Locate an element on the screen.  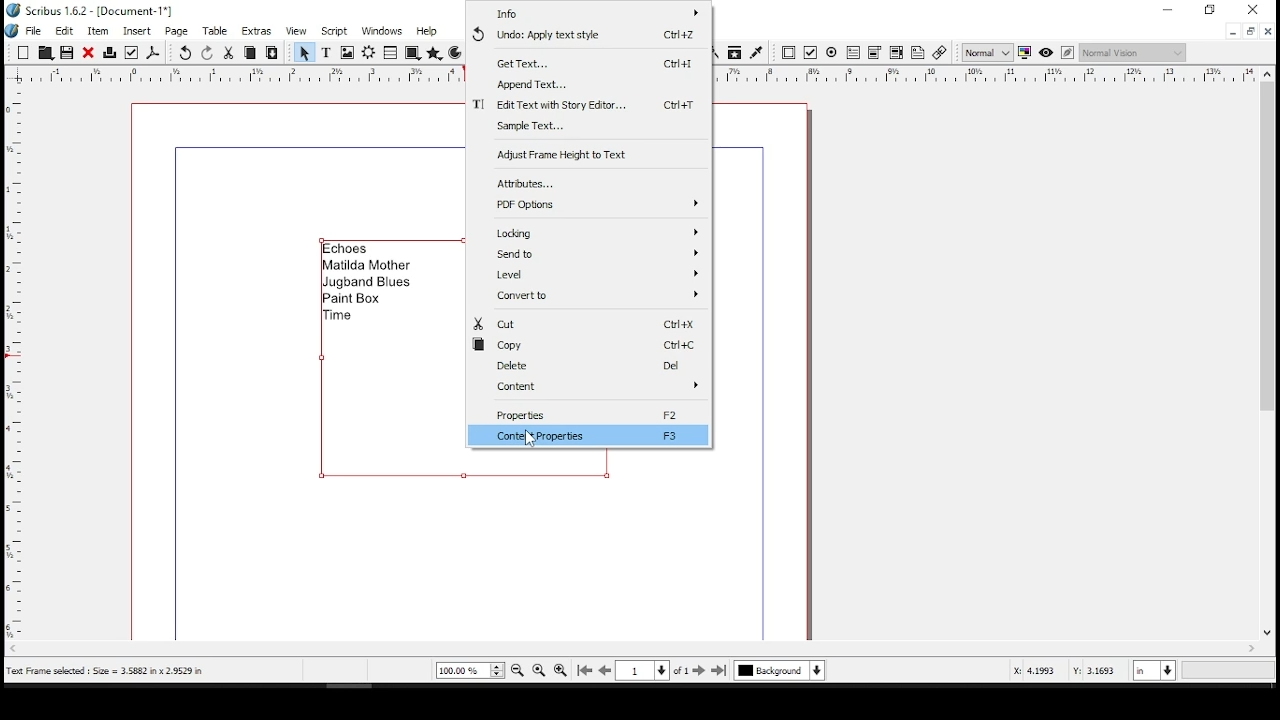
cut is located at coordinates (229, 52).